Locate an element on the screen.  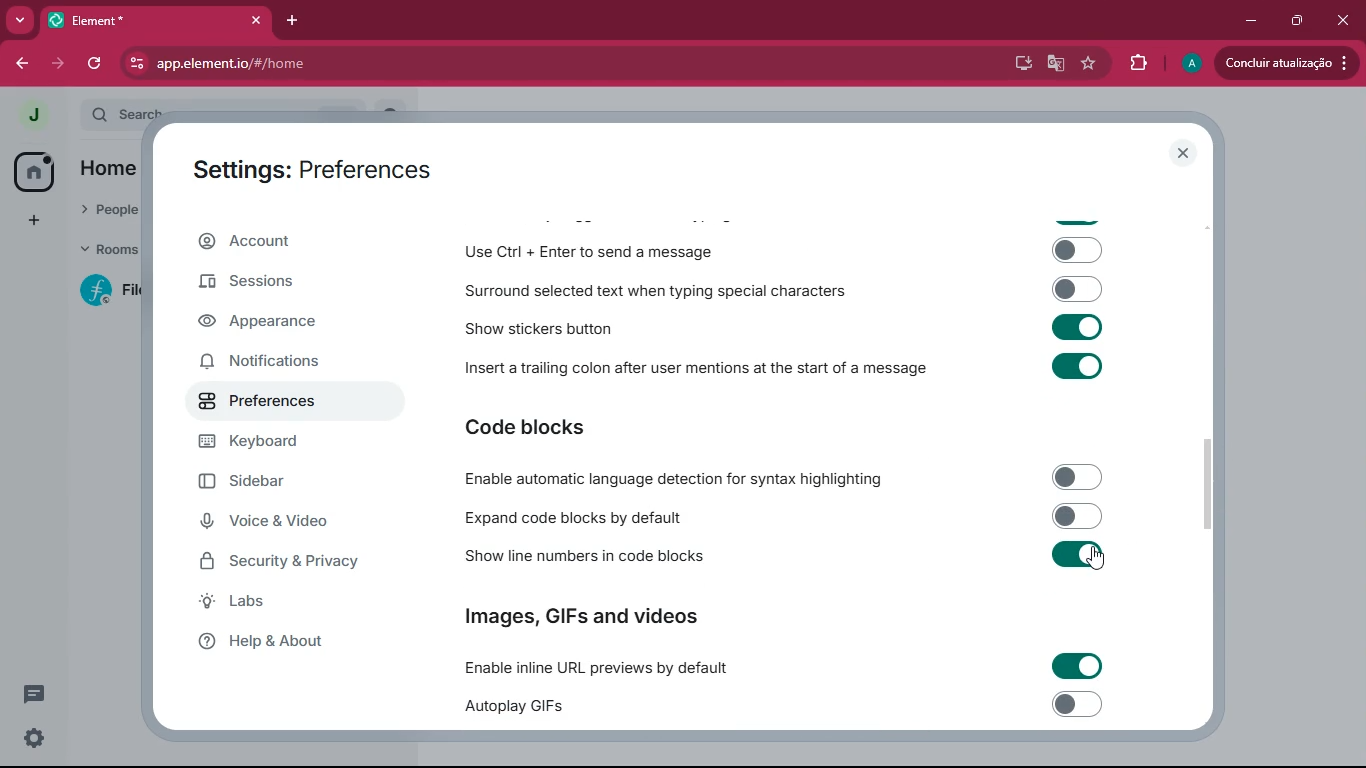
close is located at coordinates (1342, 21).